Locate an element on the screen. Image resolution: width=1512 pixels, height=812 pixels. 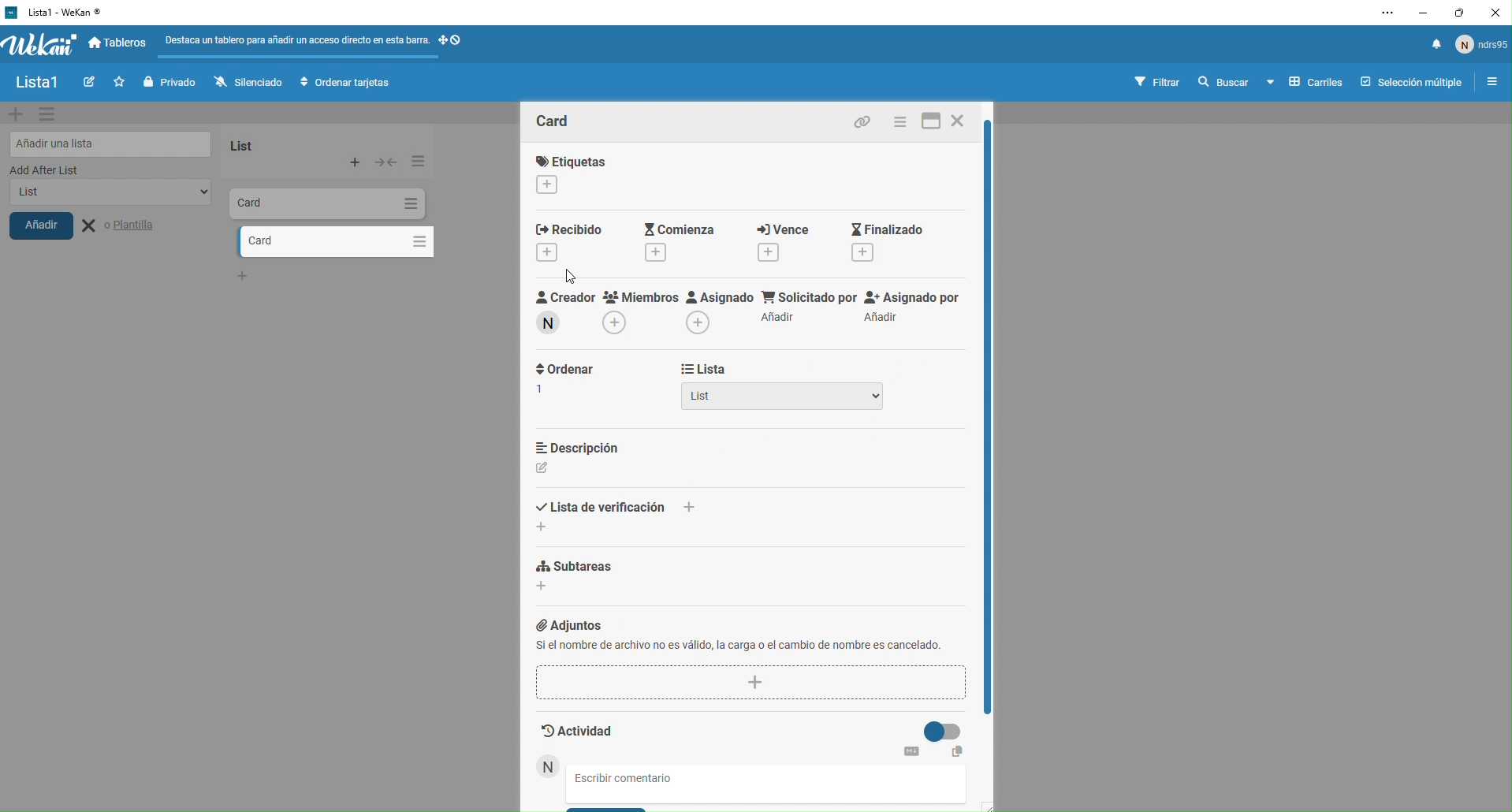
close is located at coordinates (1496, 12).